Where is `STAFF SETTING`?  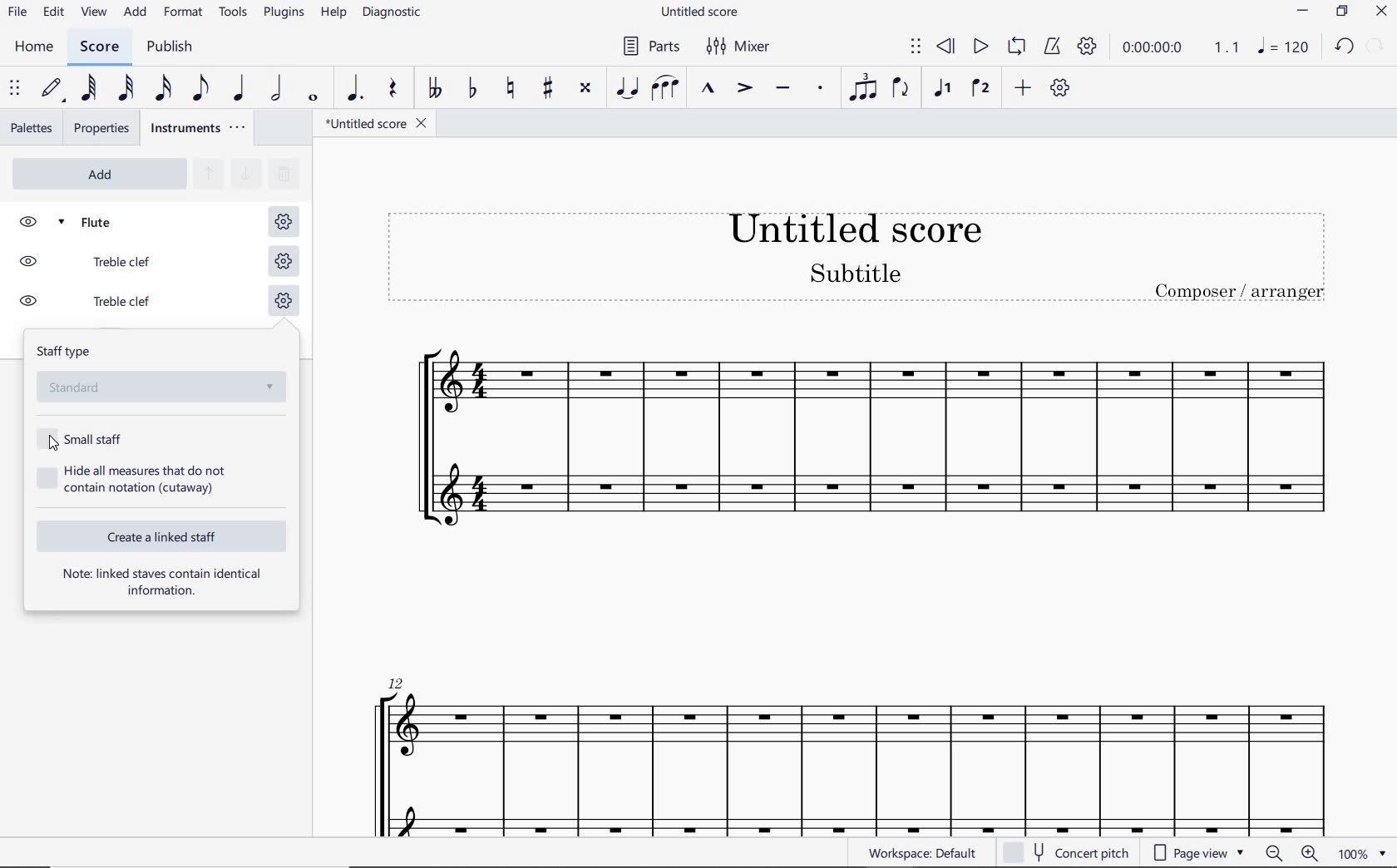 STAFF SETTING is located at coordinates (283, 303).